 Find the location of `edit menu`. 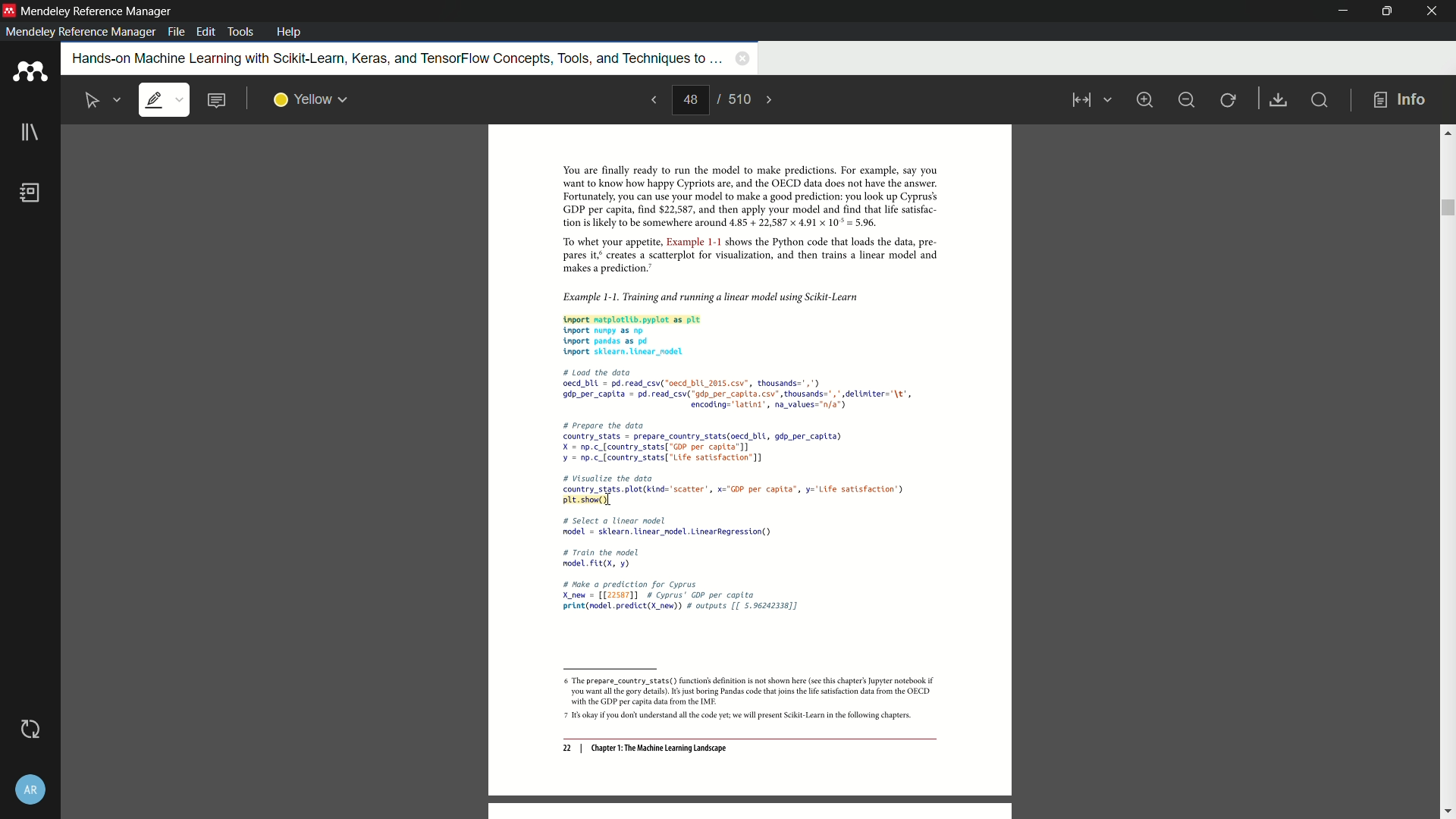

edit menu is located at coordinates (208, 32).